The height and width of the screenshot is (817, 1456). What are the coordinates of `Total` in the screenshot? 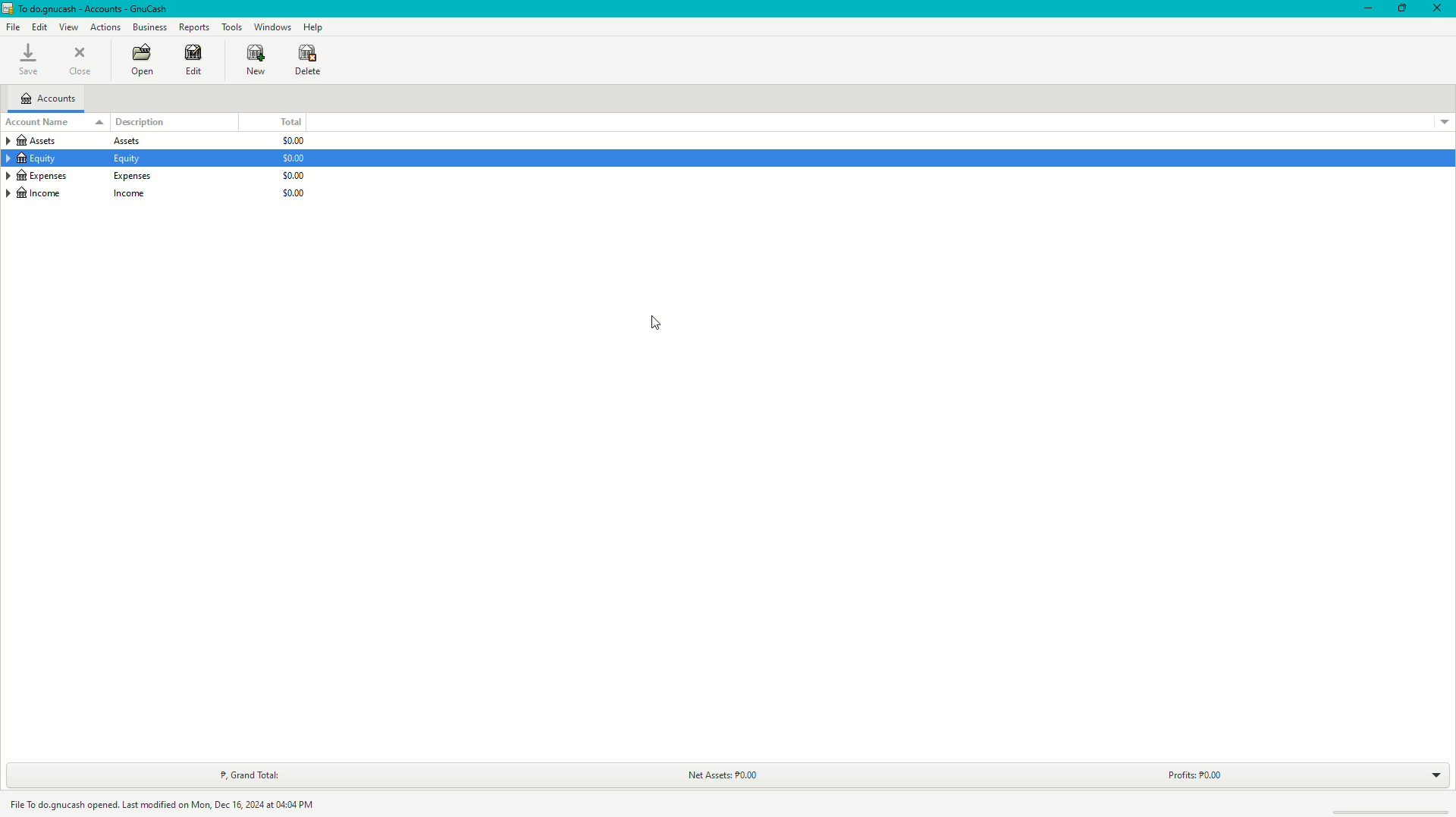 It's located at (291, 122).